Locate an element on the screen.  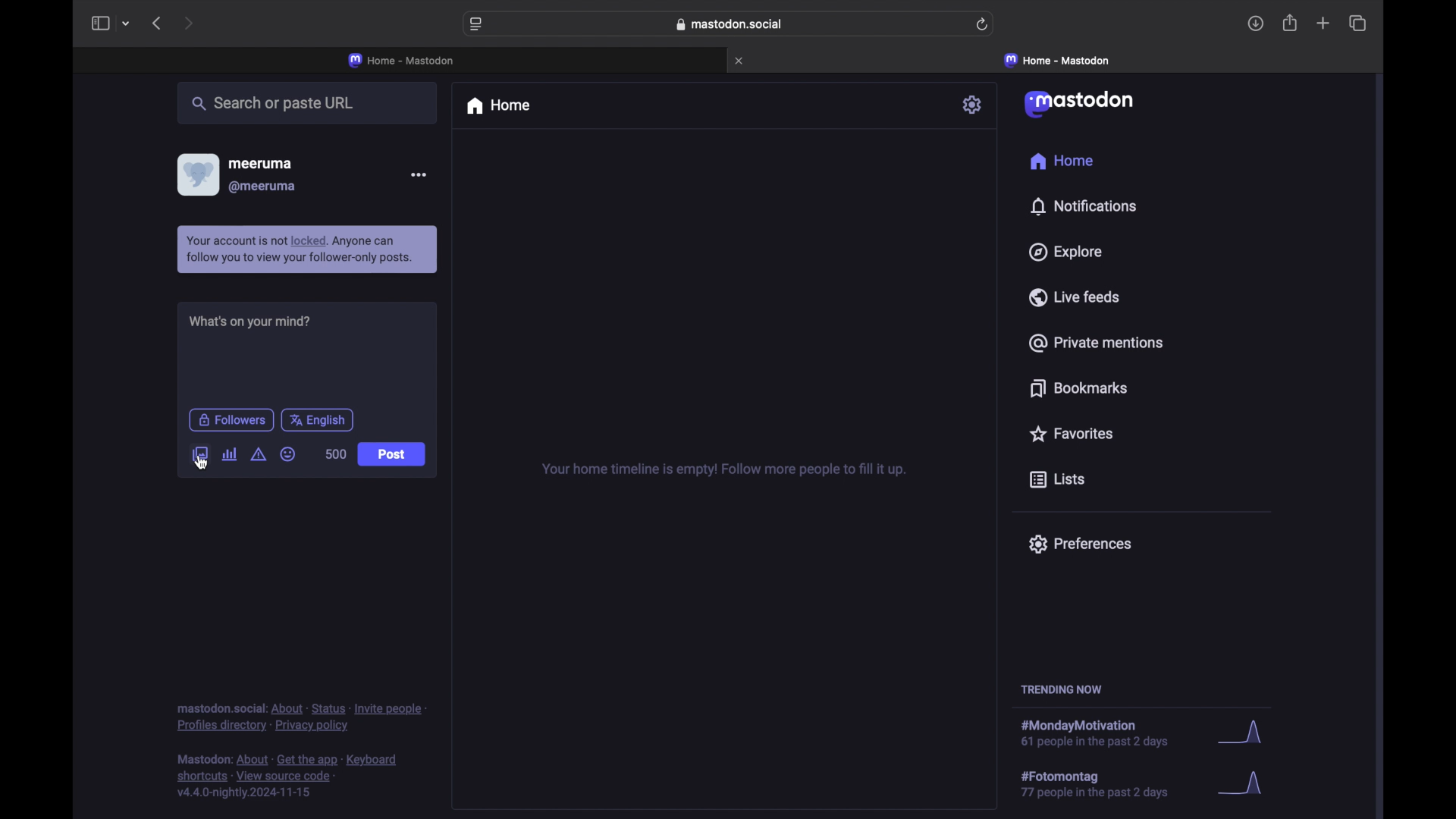
hashtag trend is located at coordinates (1105, 785).